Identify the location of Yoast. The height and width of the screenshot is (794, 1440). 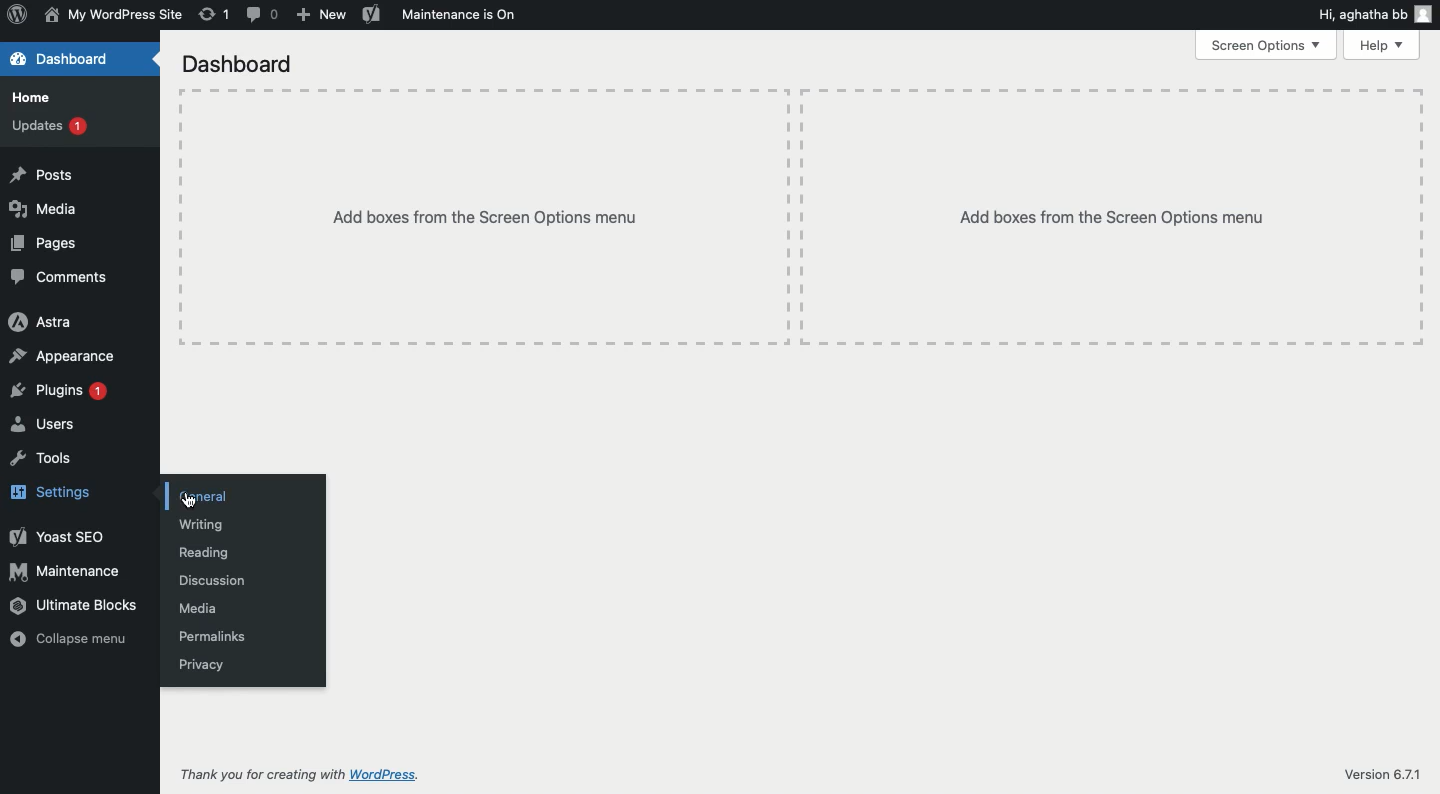
(372, 13).